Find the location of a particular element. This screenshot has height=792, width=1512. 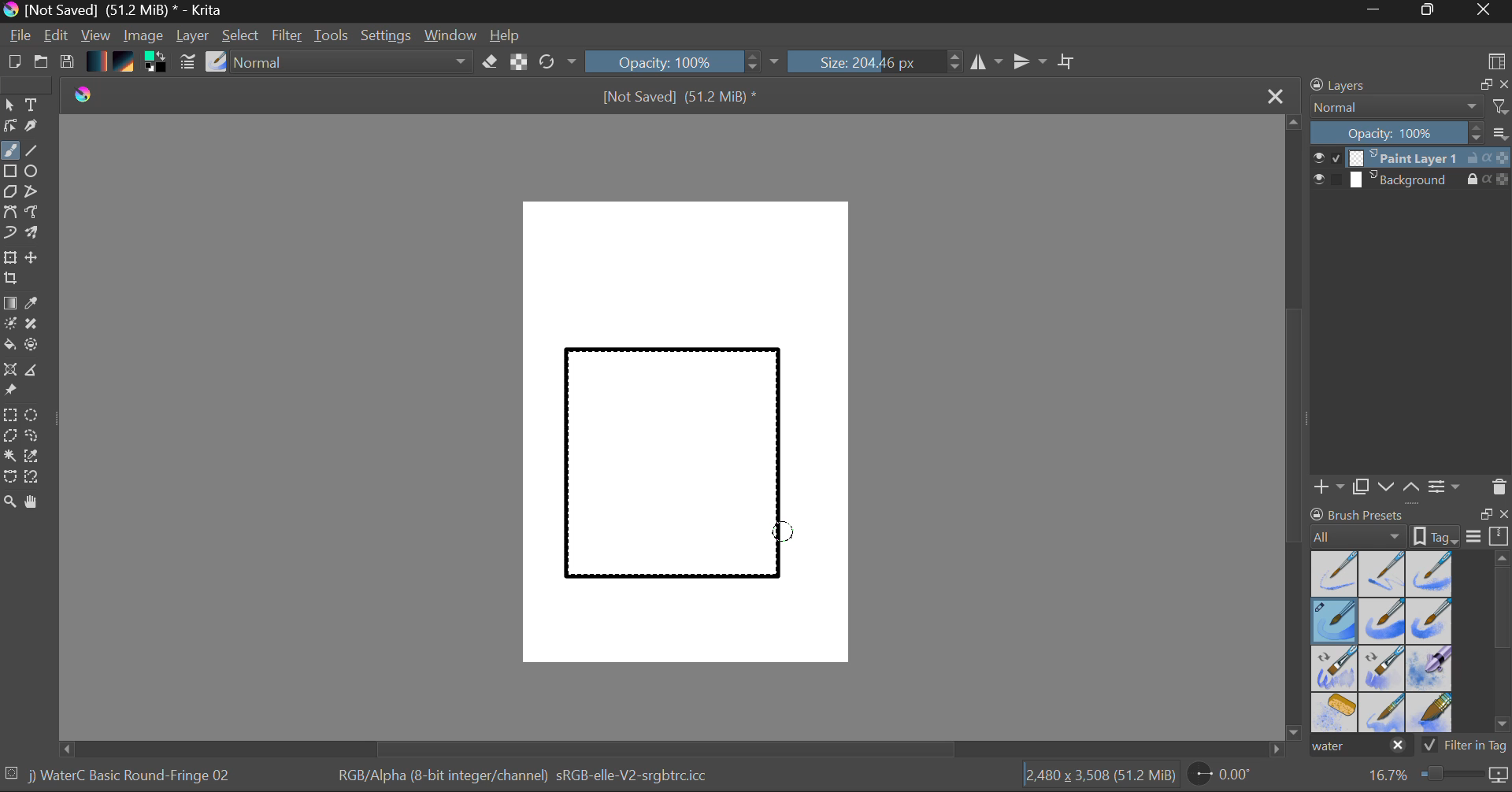

Document Dimensions is located at coordinates (1099, 778).